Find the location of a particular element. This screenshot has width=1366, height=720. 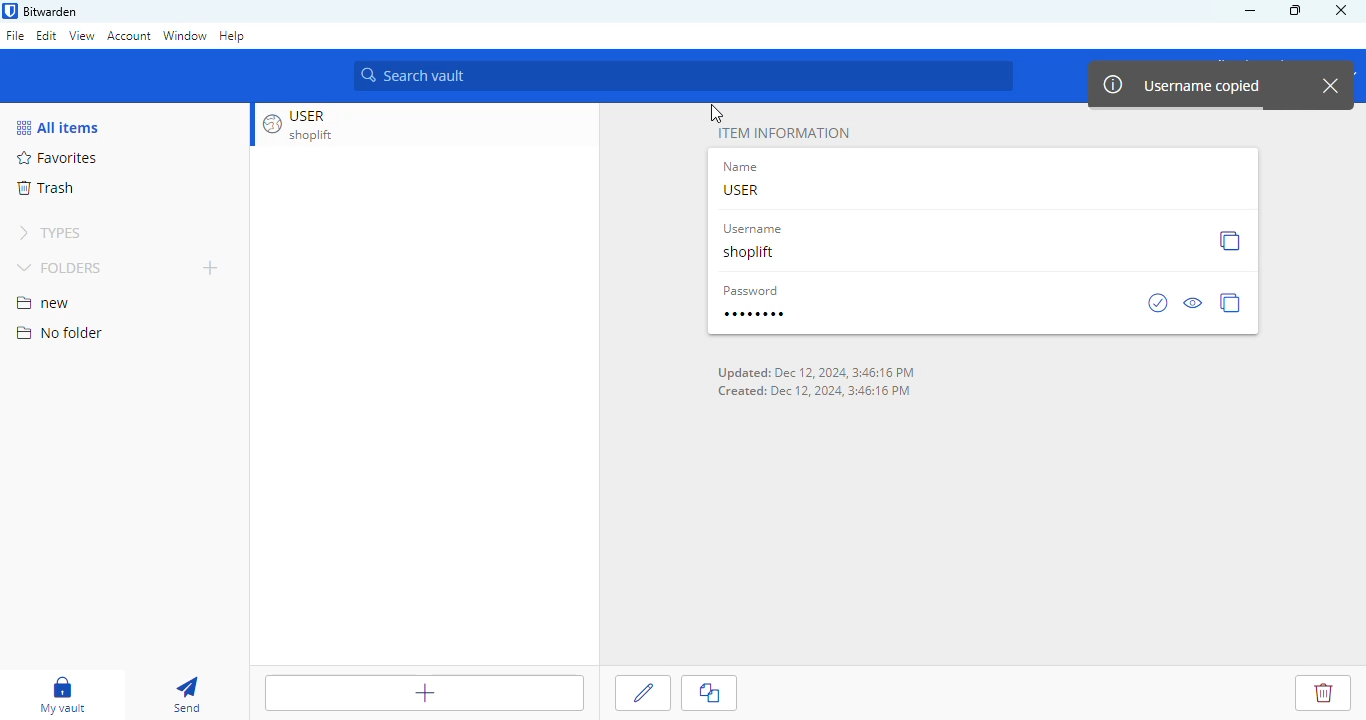

shoplift is located at coordinates (750, 253).